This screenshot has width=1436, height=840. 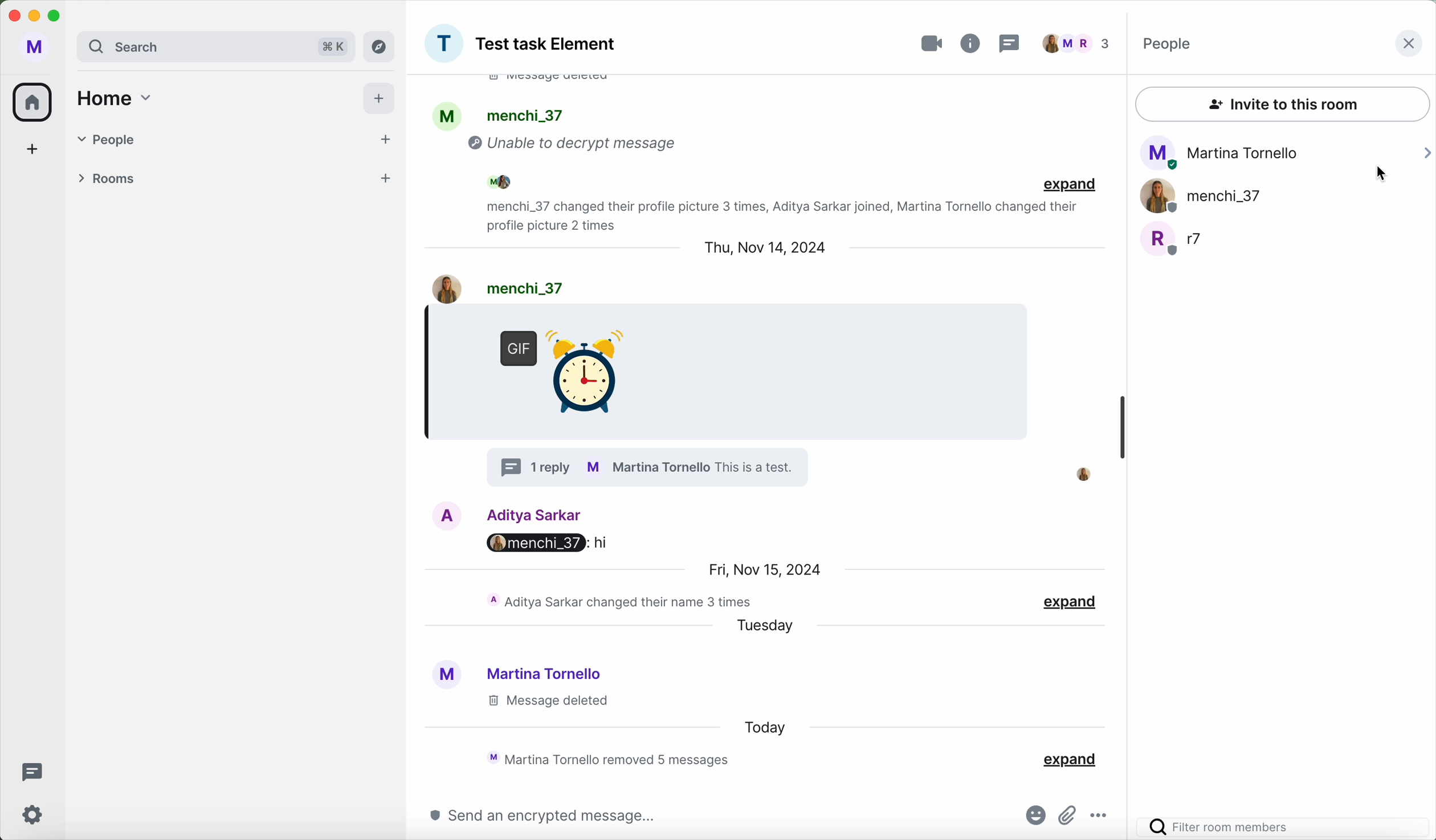 What do you see at coordinates (382, 140) in the screenshot?
I see `add` at bounding box center [382, 140].